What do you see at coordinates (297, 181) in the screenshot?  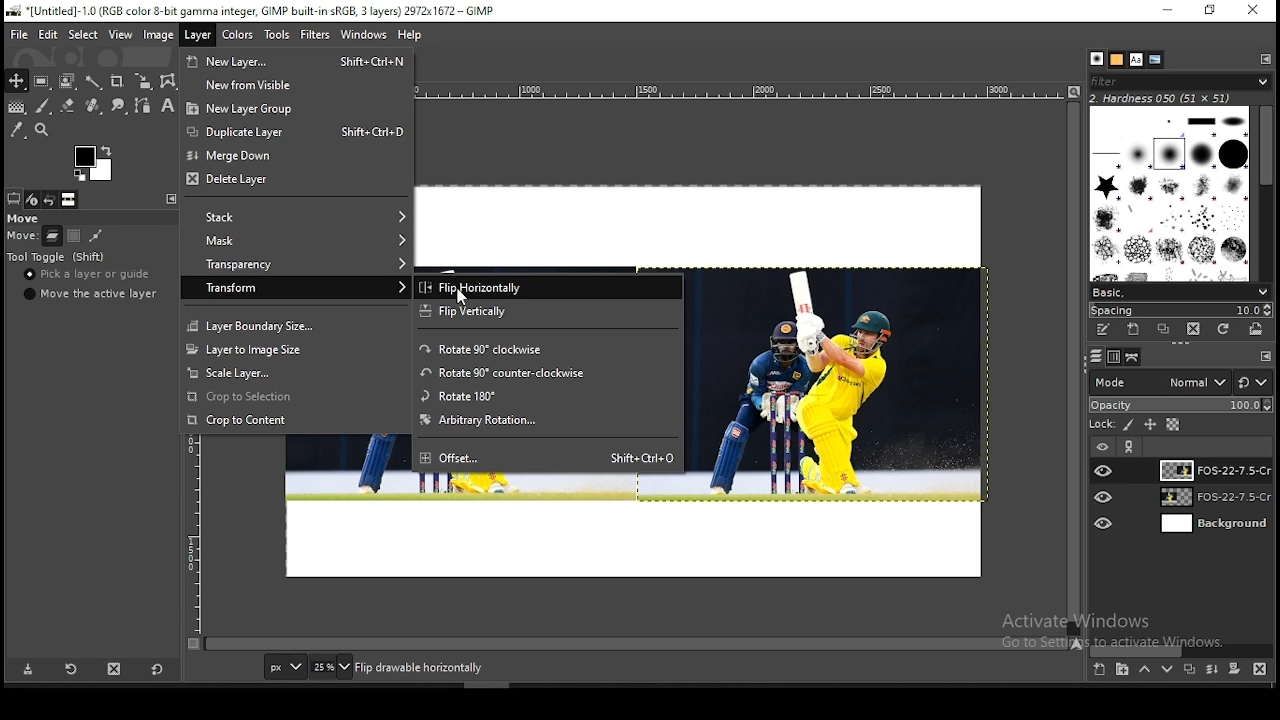 I see `delete layer` at bounding box center [297, 181].